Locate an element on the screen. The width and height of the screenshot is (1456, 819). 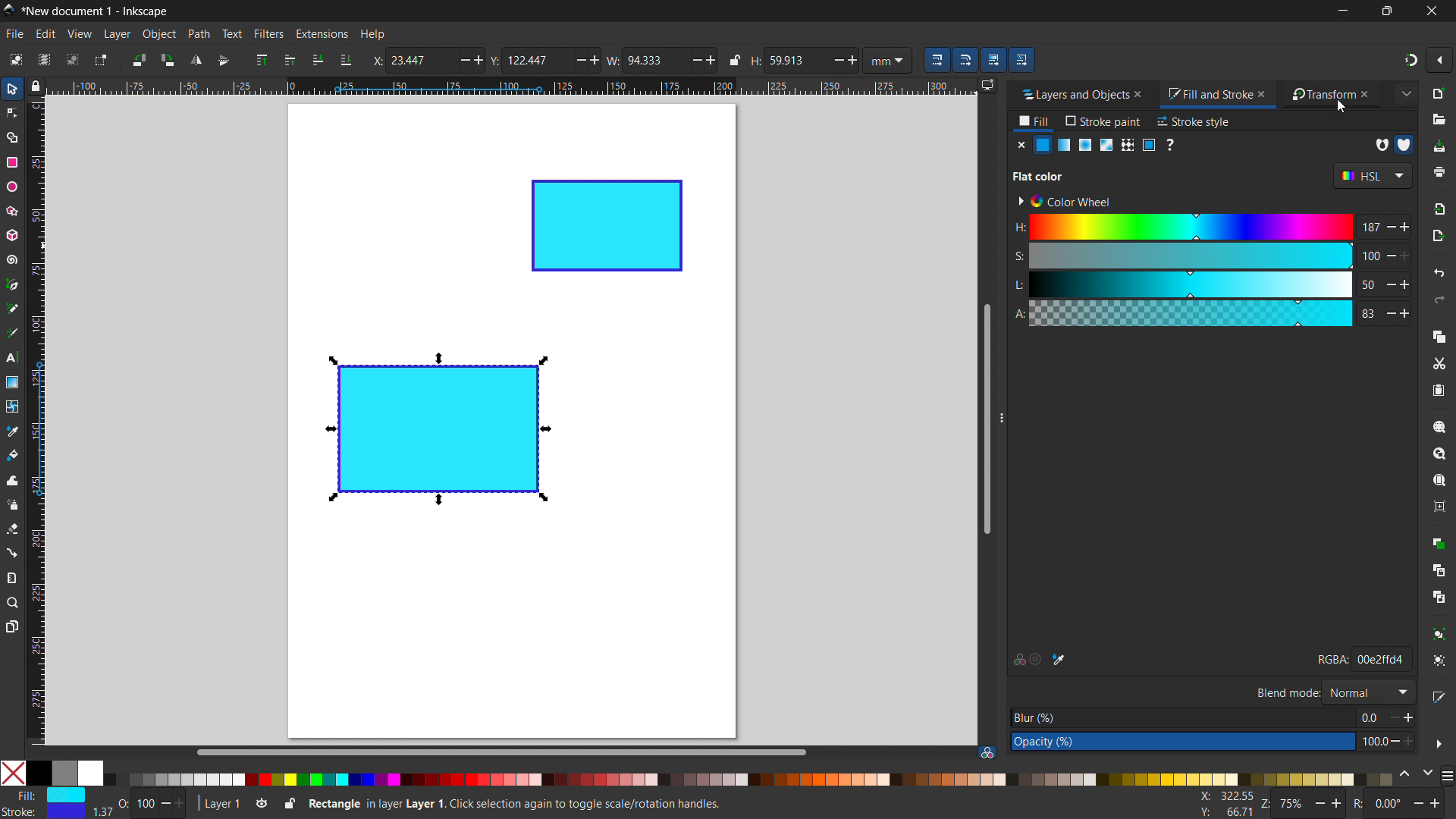
caligraphy tool is located at coordinates (11, 332).